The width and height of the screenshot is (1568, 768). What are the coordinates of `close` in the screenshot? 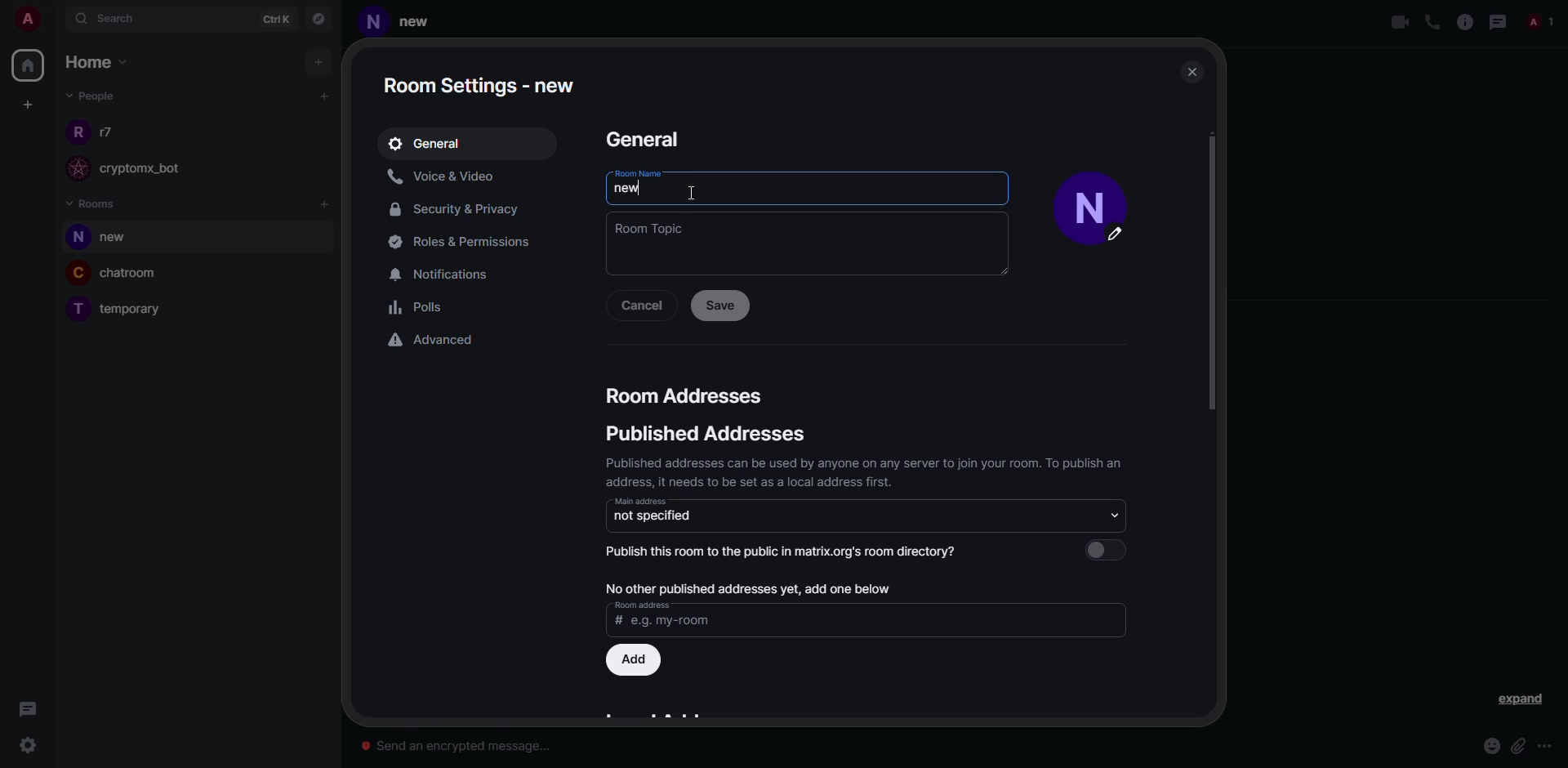 It's located at (1192, 70).